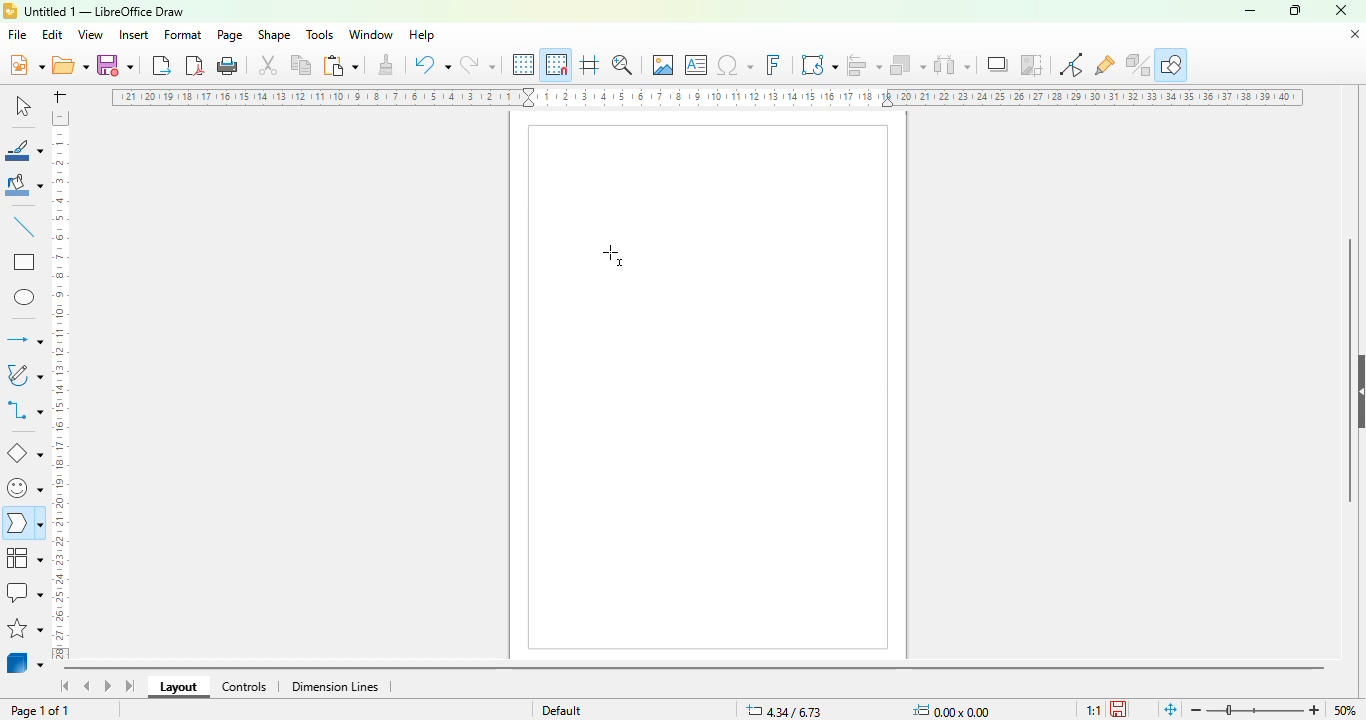 The height and width of the screenshot is (720, 1366). Describe the element at coordinates (477, 64) in the screenshot. I see `redo` at that location.